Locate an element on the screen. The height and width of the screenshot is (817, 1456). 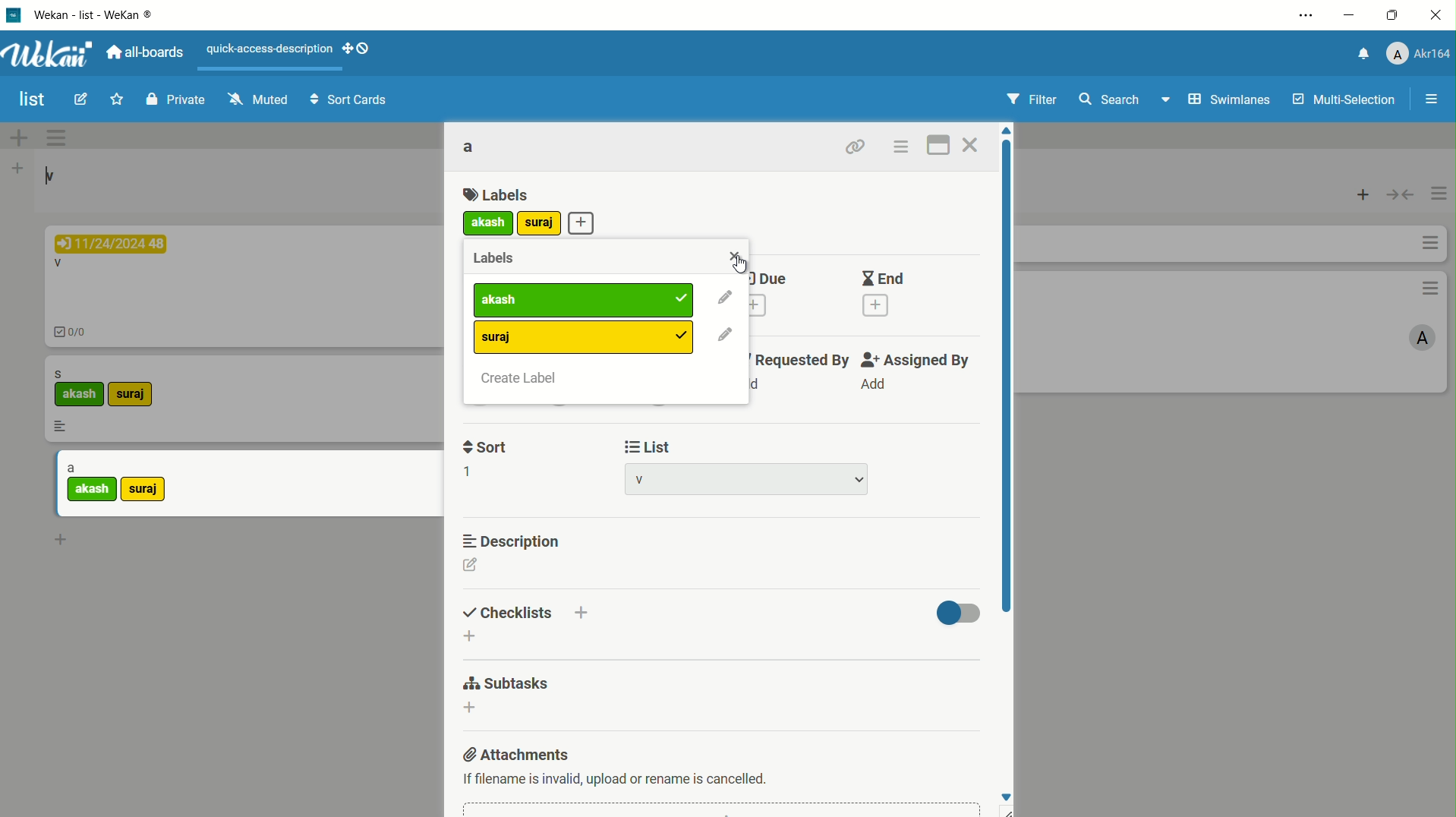
added is located at coordinates (680, 335).